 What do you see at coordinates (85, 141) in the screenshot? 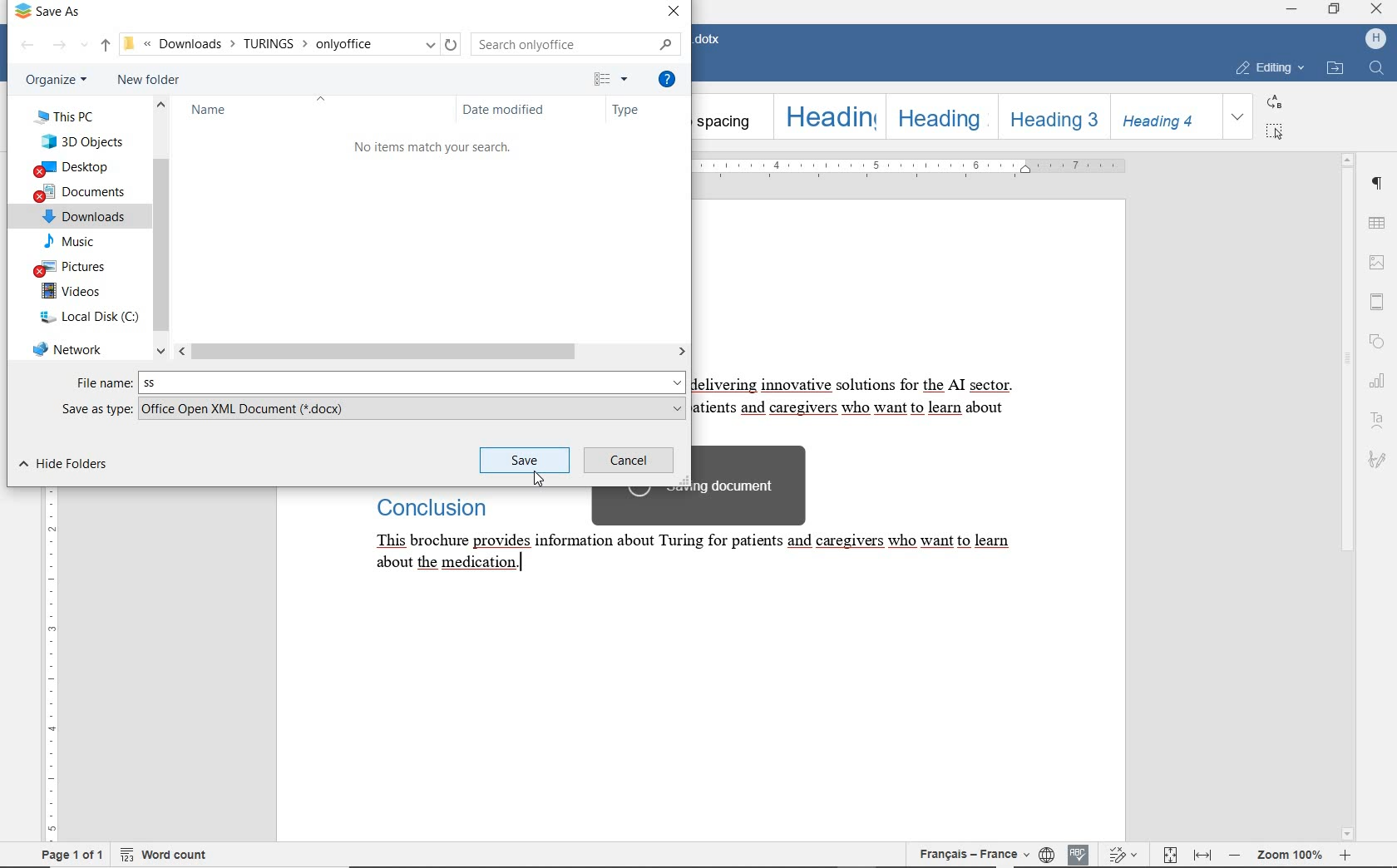
I see `3D OBJECTS` at bounding box center [85, 141].